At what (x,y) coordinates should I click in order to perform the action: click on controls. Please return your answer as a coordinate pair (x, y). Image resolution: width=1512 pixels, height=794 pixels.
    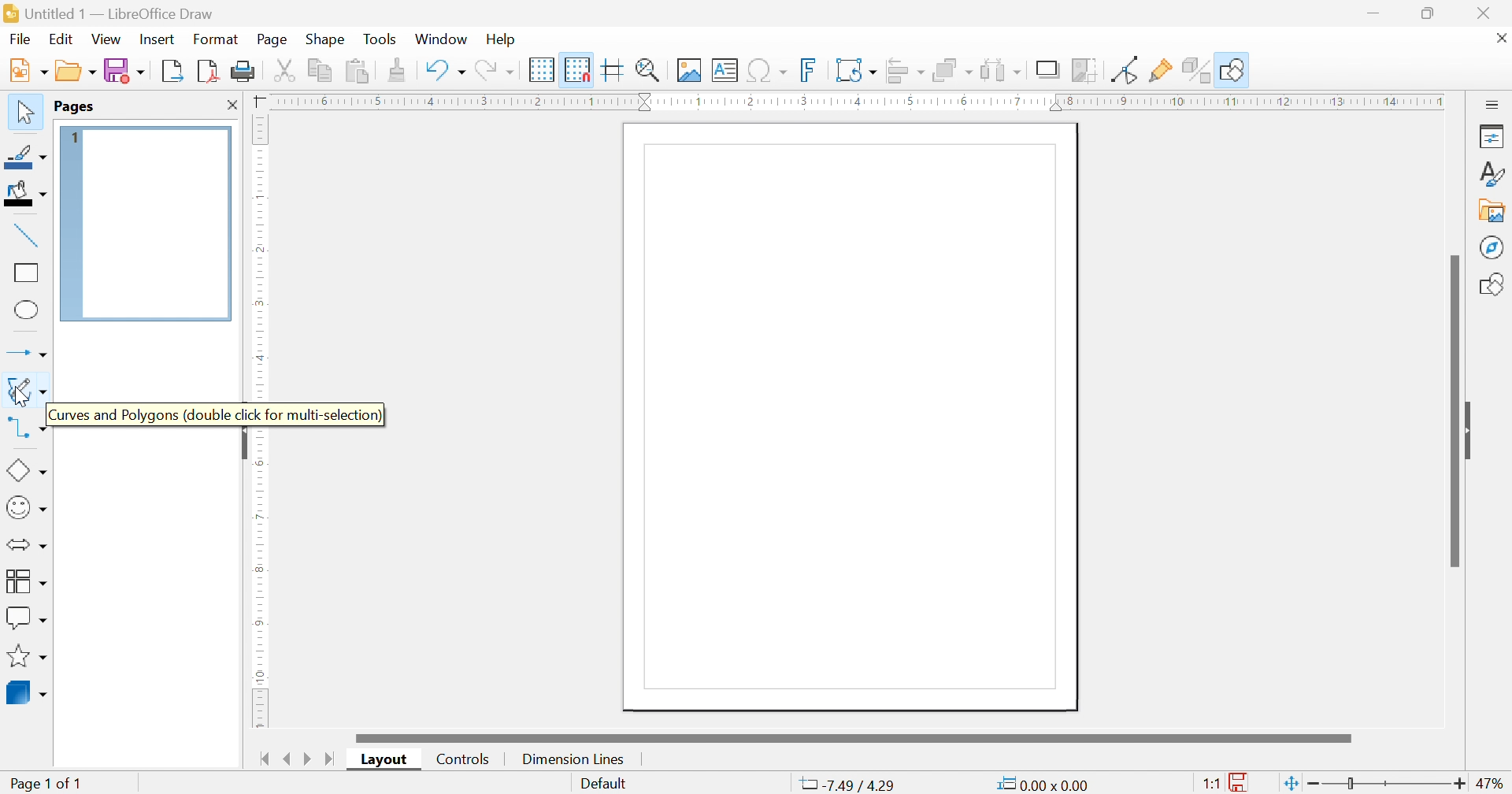
    Looking at the image, I should click on (465, 759).